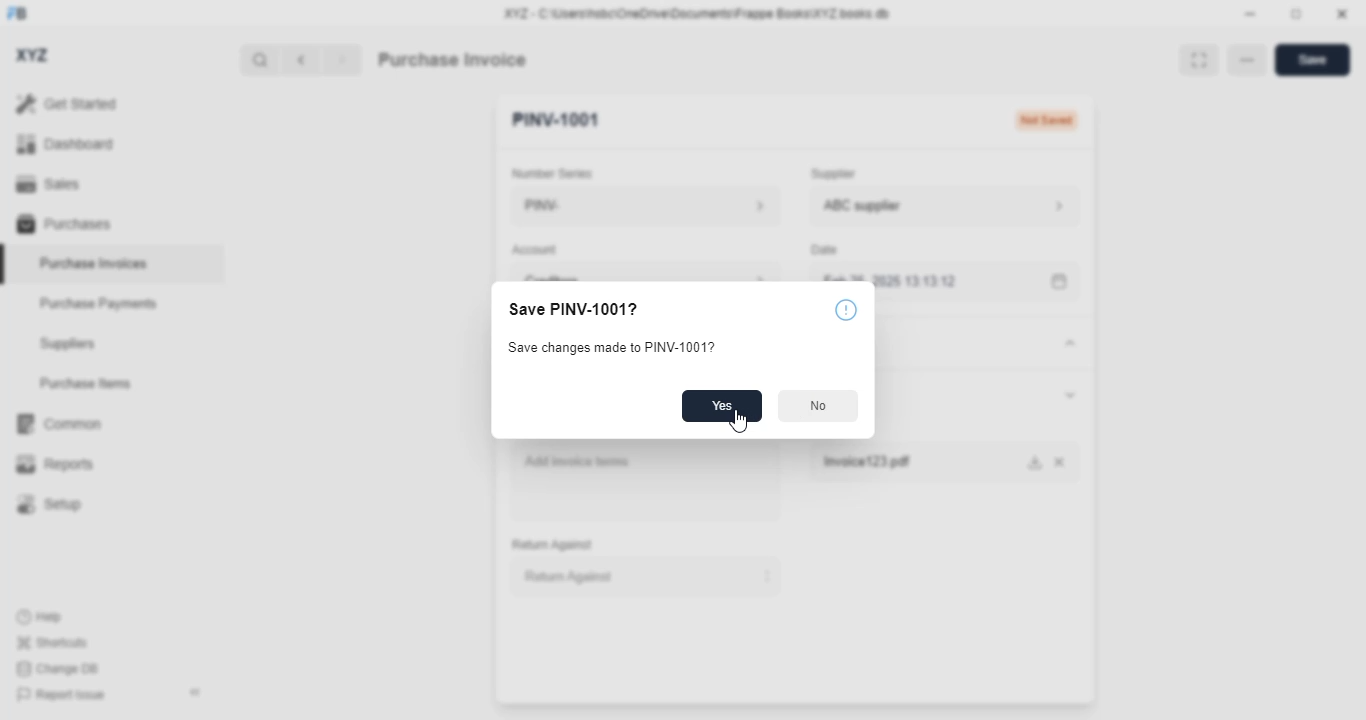 This screenshot has height=720, width=1366. I want to click on number series information, so click(754, 205).